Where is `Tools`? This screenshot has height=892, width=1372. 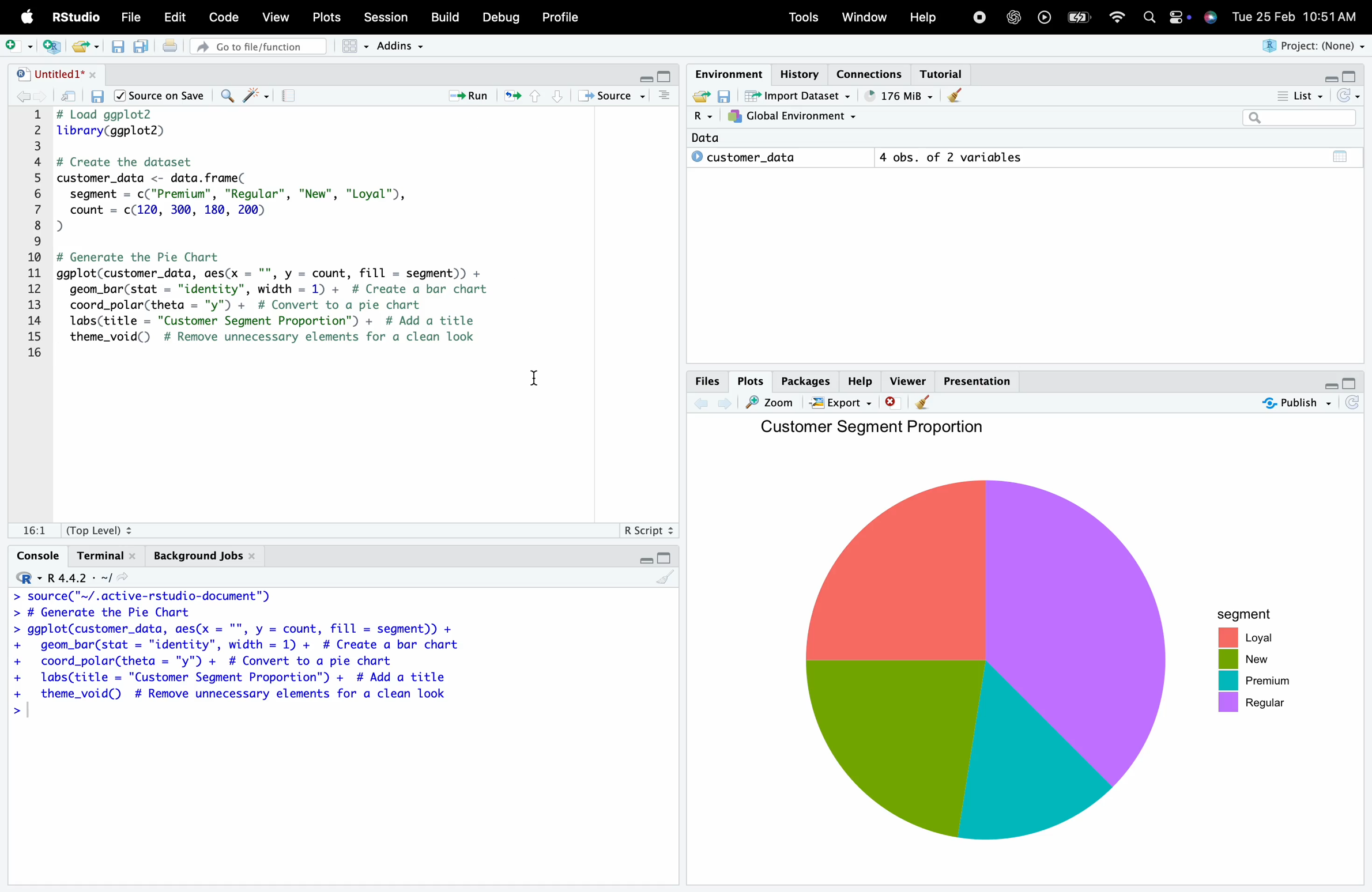
Tools is located at coordinates (803, 17).